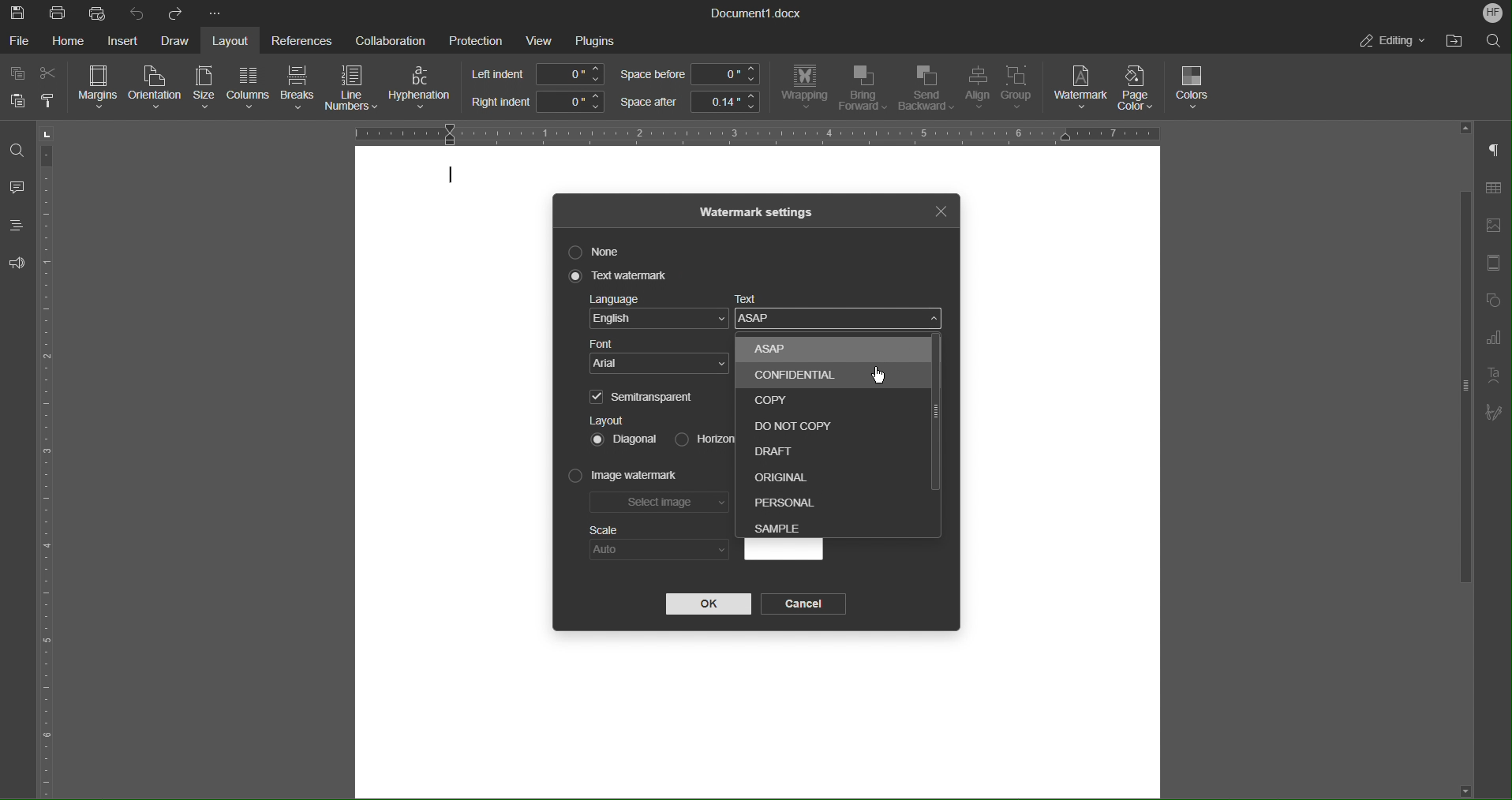 The image size is (1512, 800). I want to click on Draft, so click(779, 447).